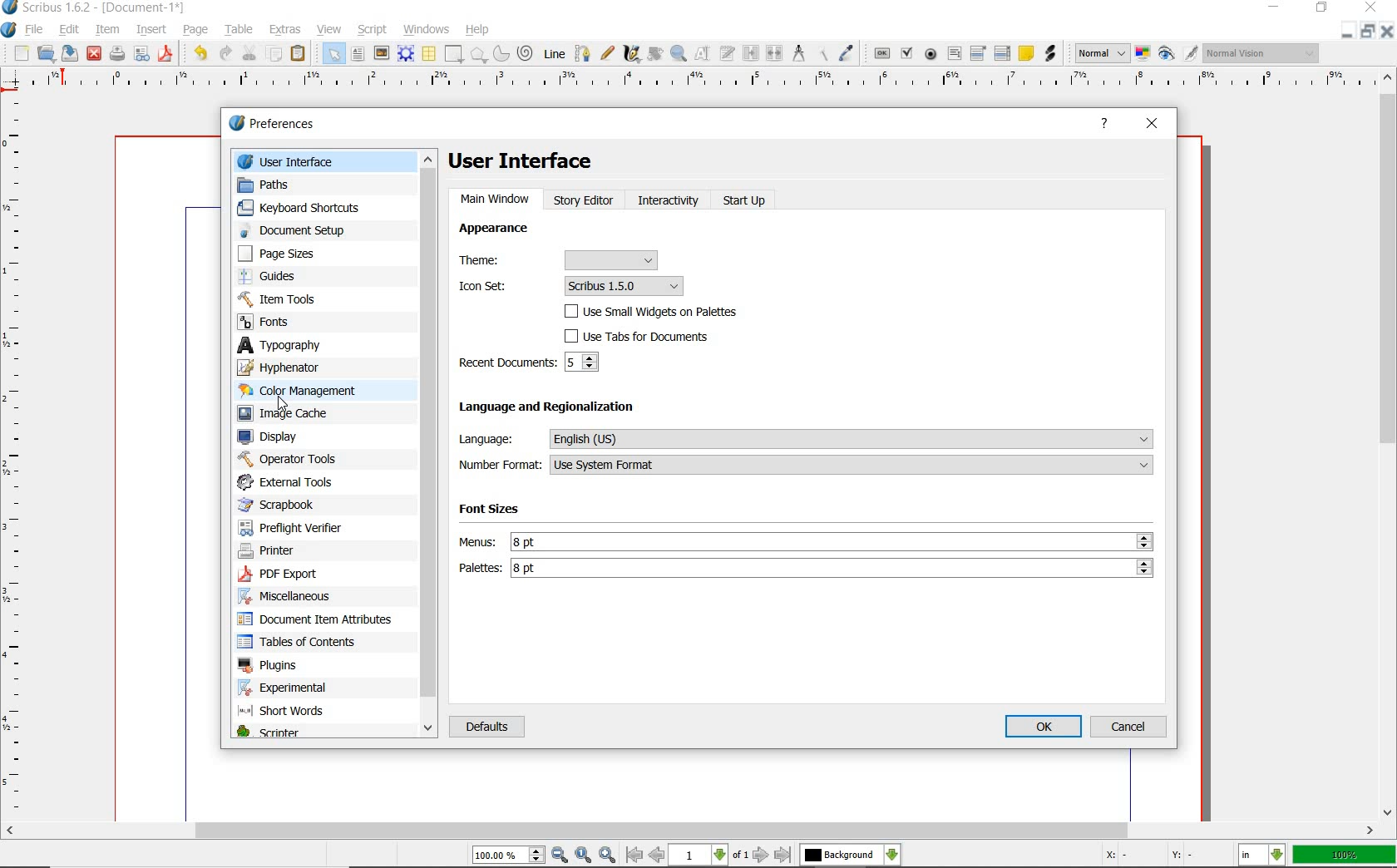 The image size is (1397, 868). I want to click on DEFAULTS, so click(484, 727).